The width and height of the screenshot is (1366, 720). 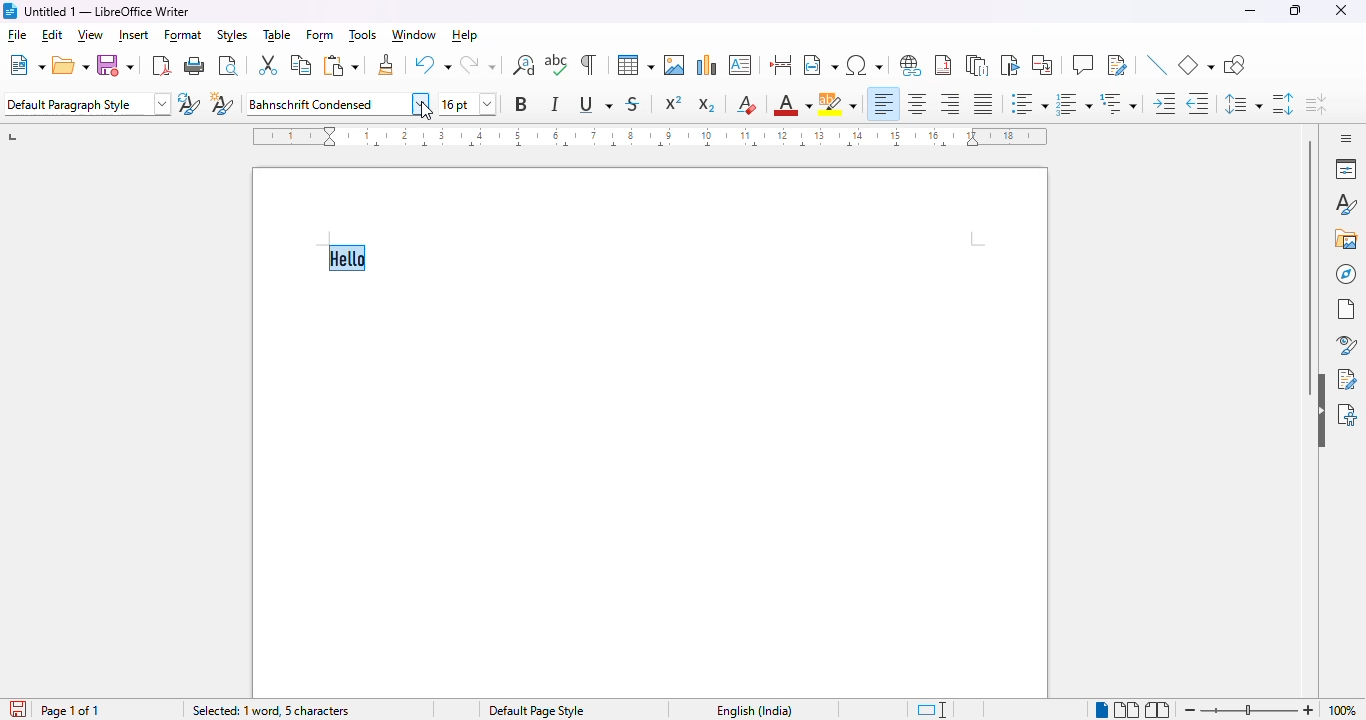 What do you see at coordinates (91, 36) in the screenshot?
I see `view` at bounding box center [91, 36].